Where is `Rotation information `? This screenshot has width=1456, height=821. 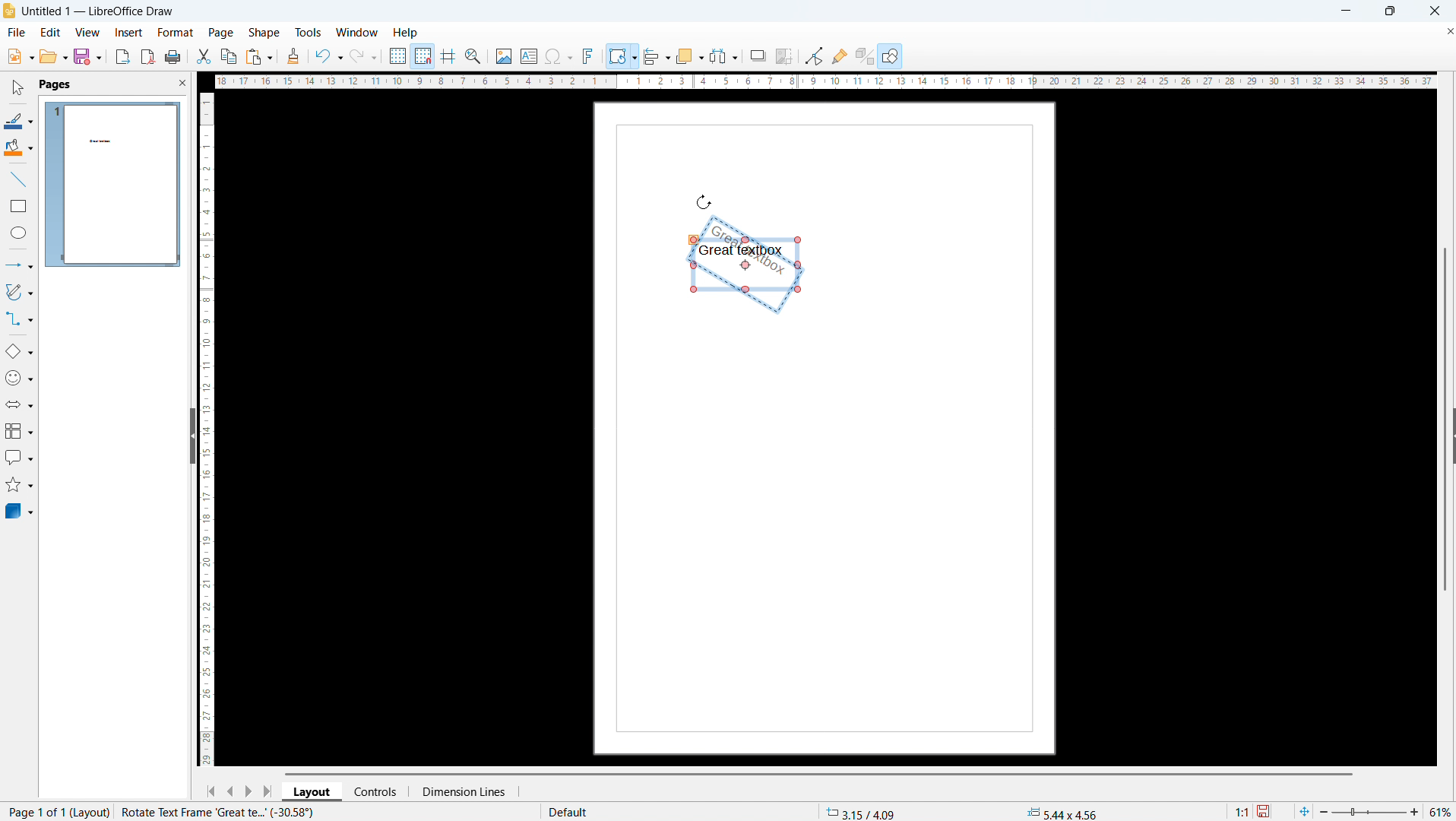
Rotation information  is located at coordinates (219, 812).